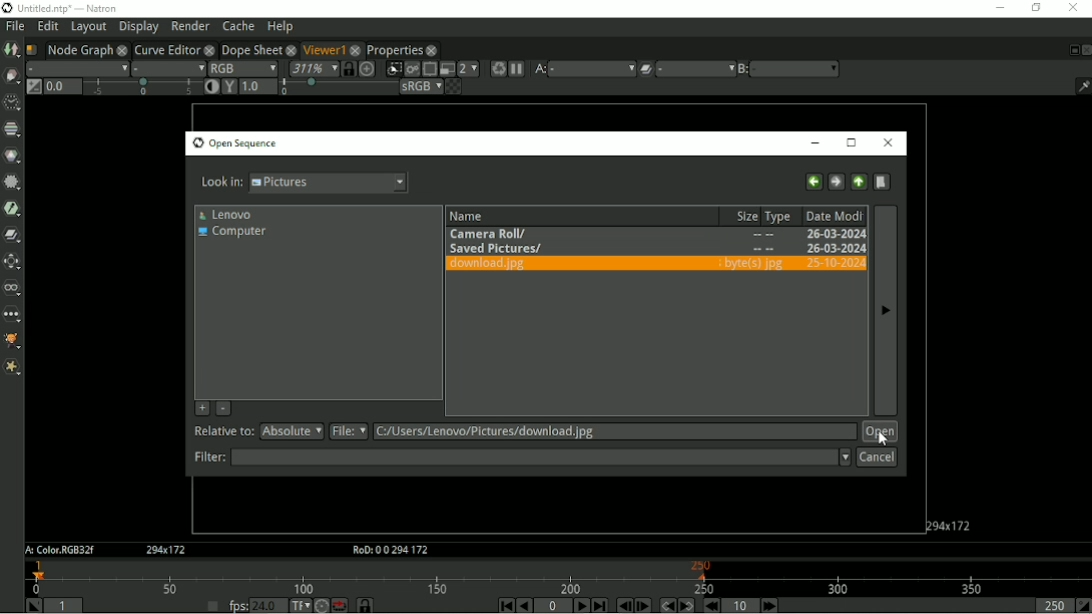 The image size is (1092, 614). Describe the element at coordinates (832, 216) in the screenshot. I see `Date Modified` at that location.